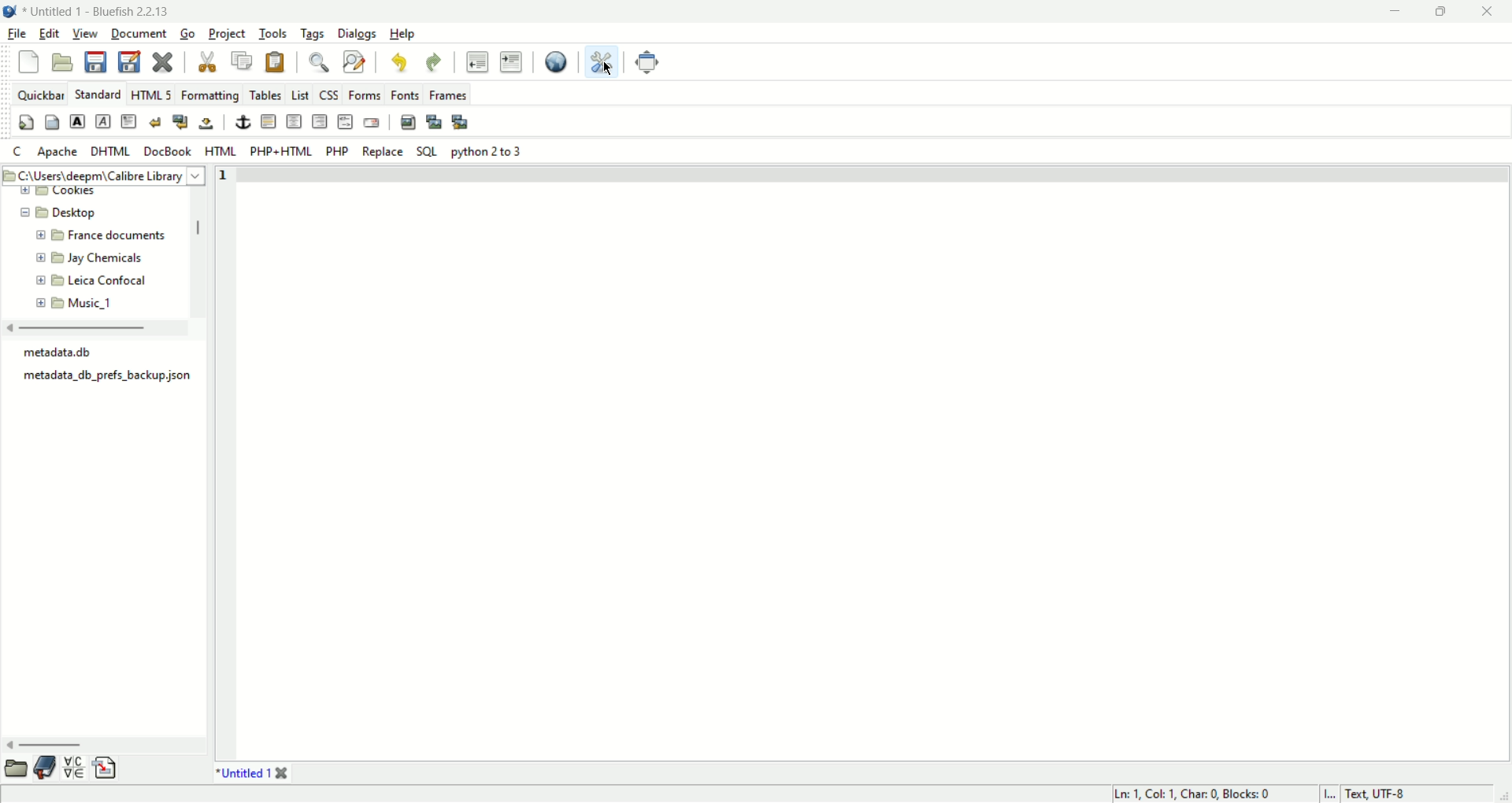 This screenshot has width=1512, height=803. I want to click on save as, so click(128, 61).